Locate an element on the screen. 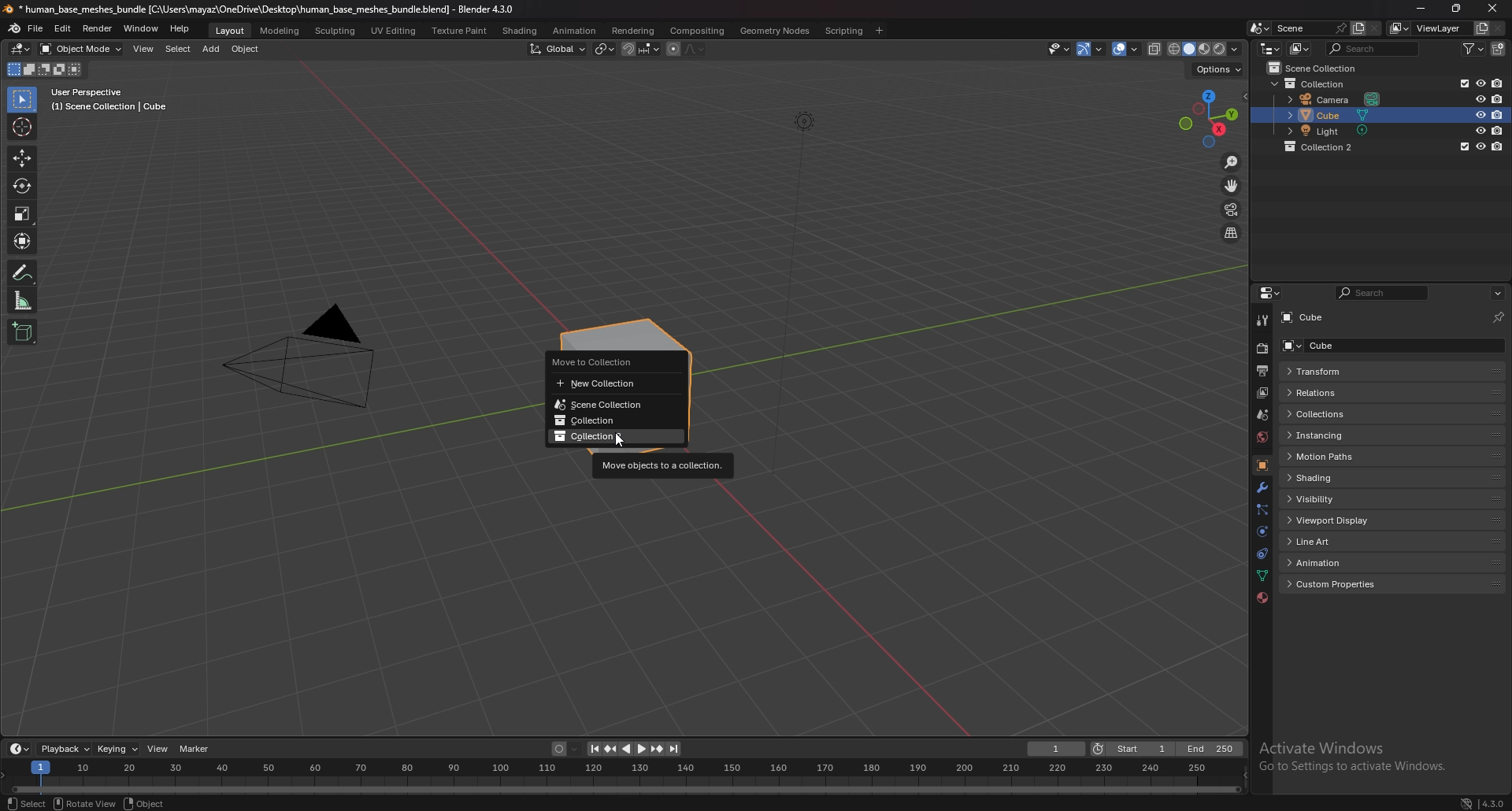 The width and height of the screenshot is (1512, 811). scene is located at coordinates (1263, 414).